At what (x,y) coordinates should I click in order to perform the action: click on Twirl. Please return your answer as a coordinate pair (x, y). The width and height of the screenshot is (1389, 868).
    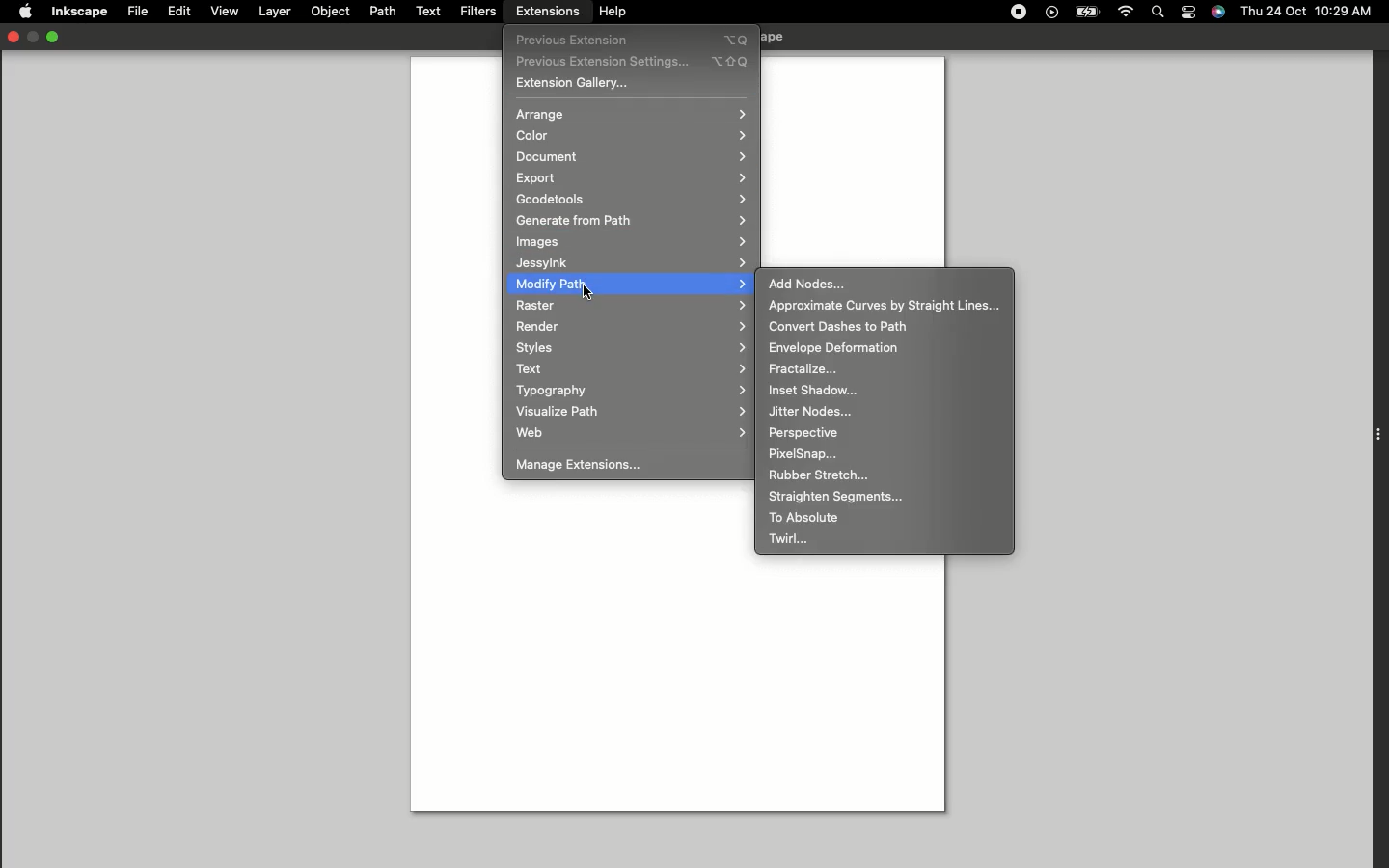
    Looking at the image, I should click on (789, 539).